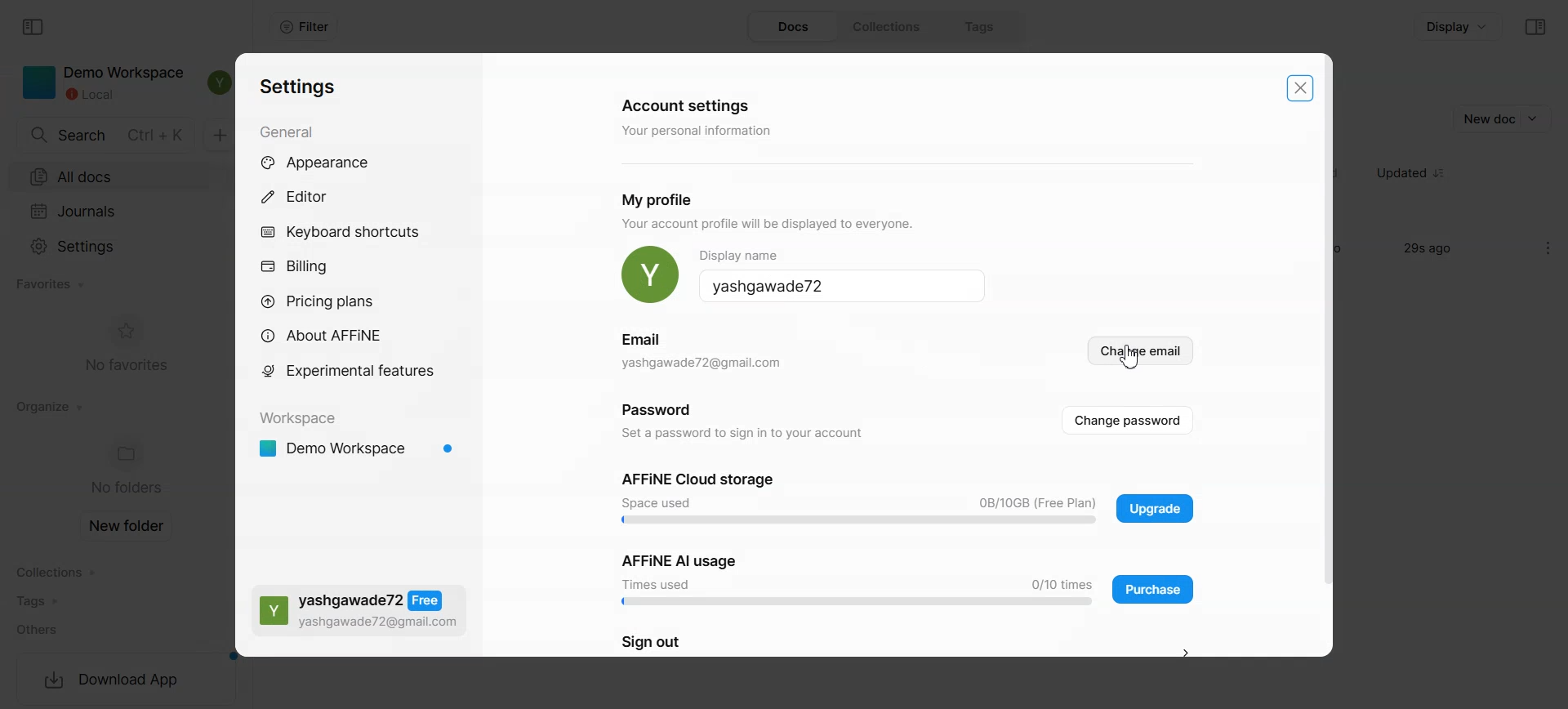 Image resolution: width=1568 pixels, height=709 pixels. What do you see at coordinates (706, 133) in the screenshot?
I see `your personal information` at bounding box center [706, 133].